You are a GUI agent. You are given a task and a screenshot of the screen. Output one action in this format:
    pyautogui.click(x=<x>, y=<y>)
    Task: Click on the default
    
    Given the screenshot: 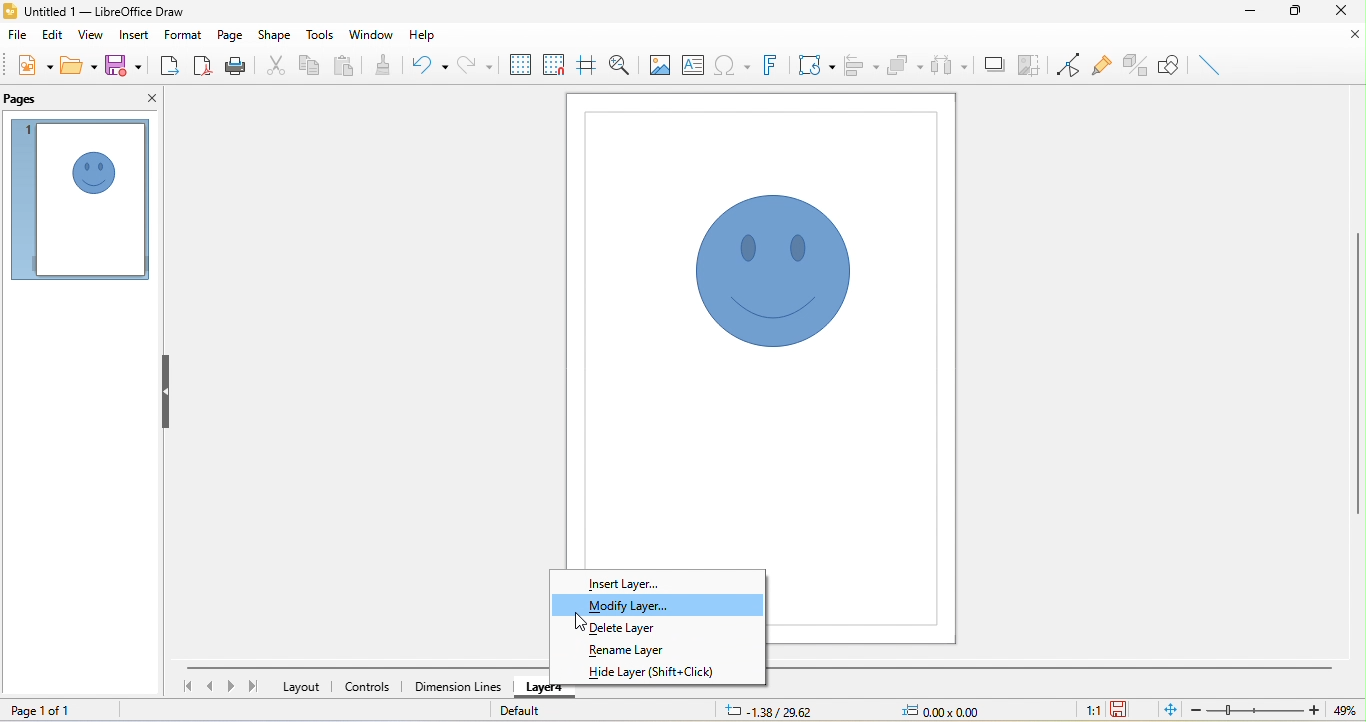 What is the action you would take?
    pyautogui.click(x=526, y=710)
    